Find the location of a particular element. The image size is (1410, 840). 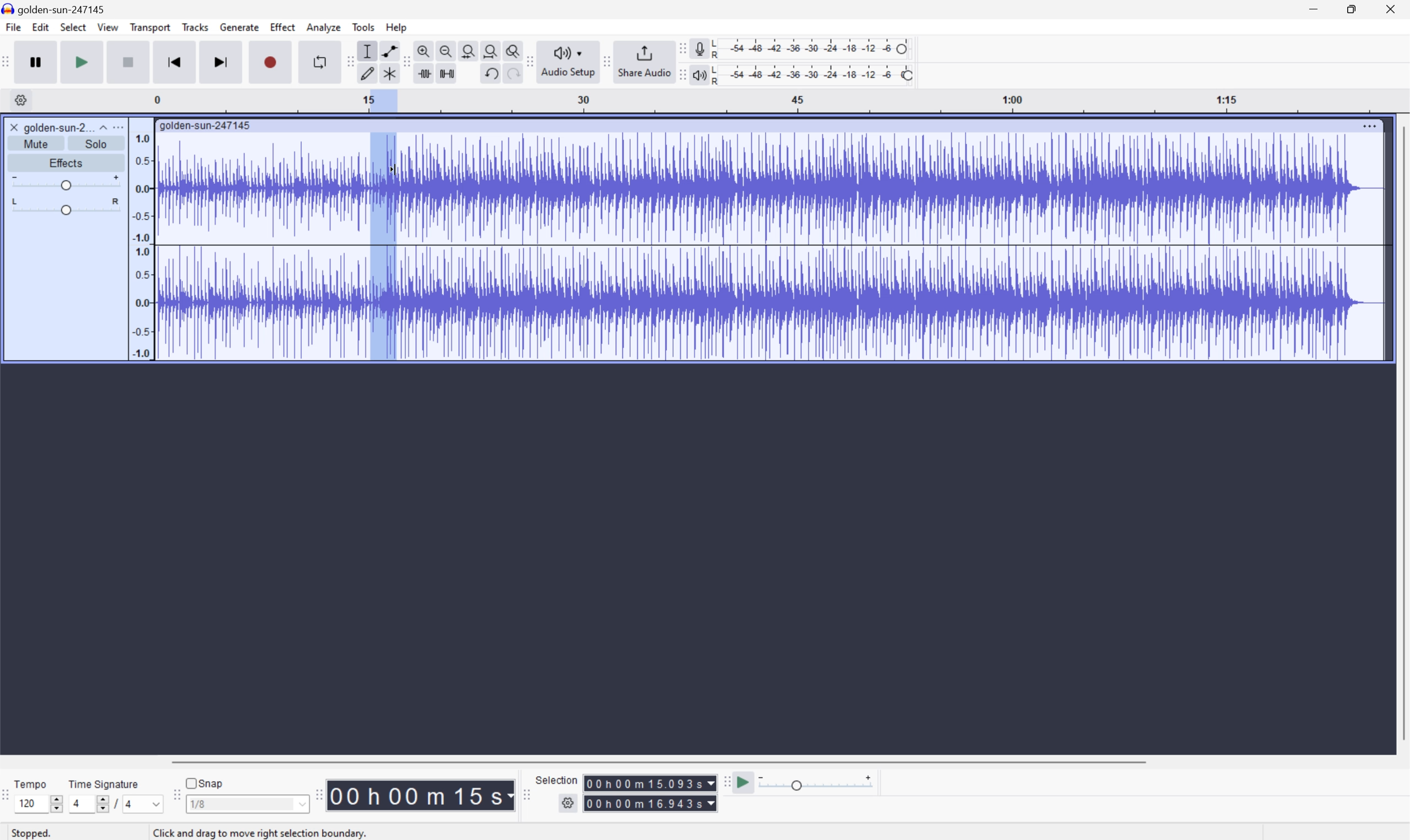

Edit is located at coordinates (41, 28).